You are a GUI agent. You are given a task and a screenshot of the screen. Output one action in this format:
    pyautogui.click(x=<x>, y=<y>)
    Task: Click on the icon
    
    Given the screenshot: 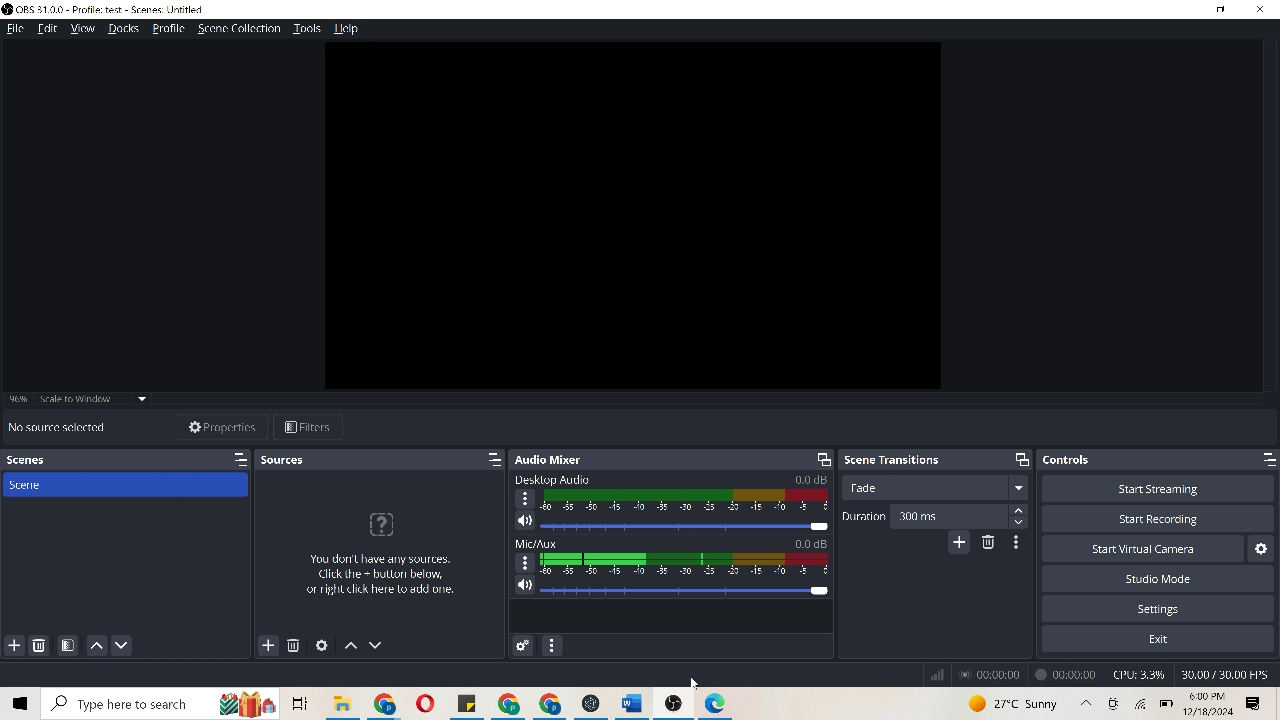 What is the action you would take?
    pyautogui.click(x=1114, y=702)
    